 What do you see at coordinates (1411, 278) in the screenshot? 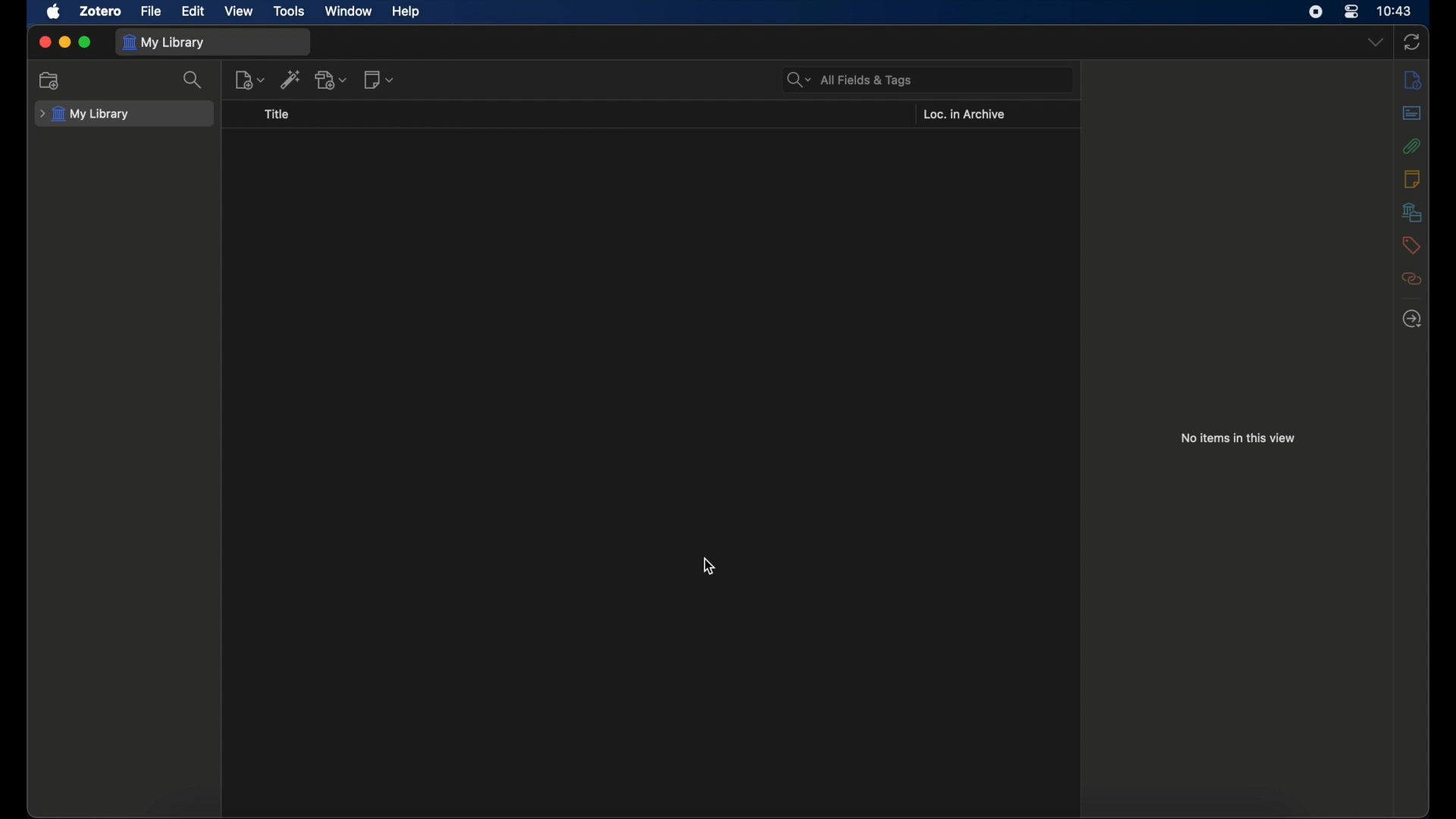
I see `related` at bounding box center [1411, 278].